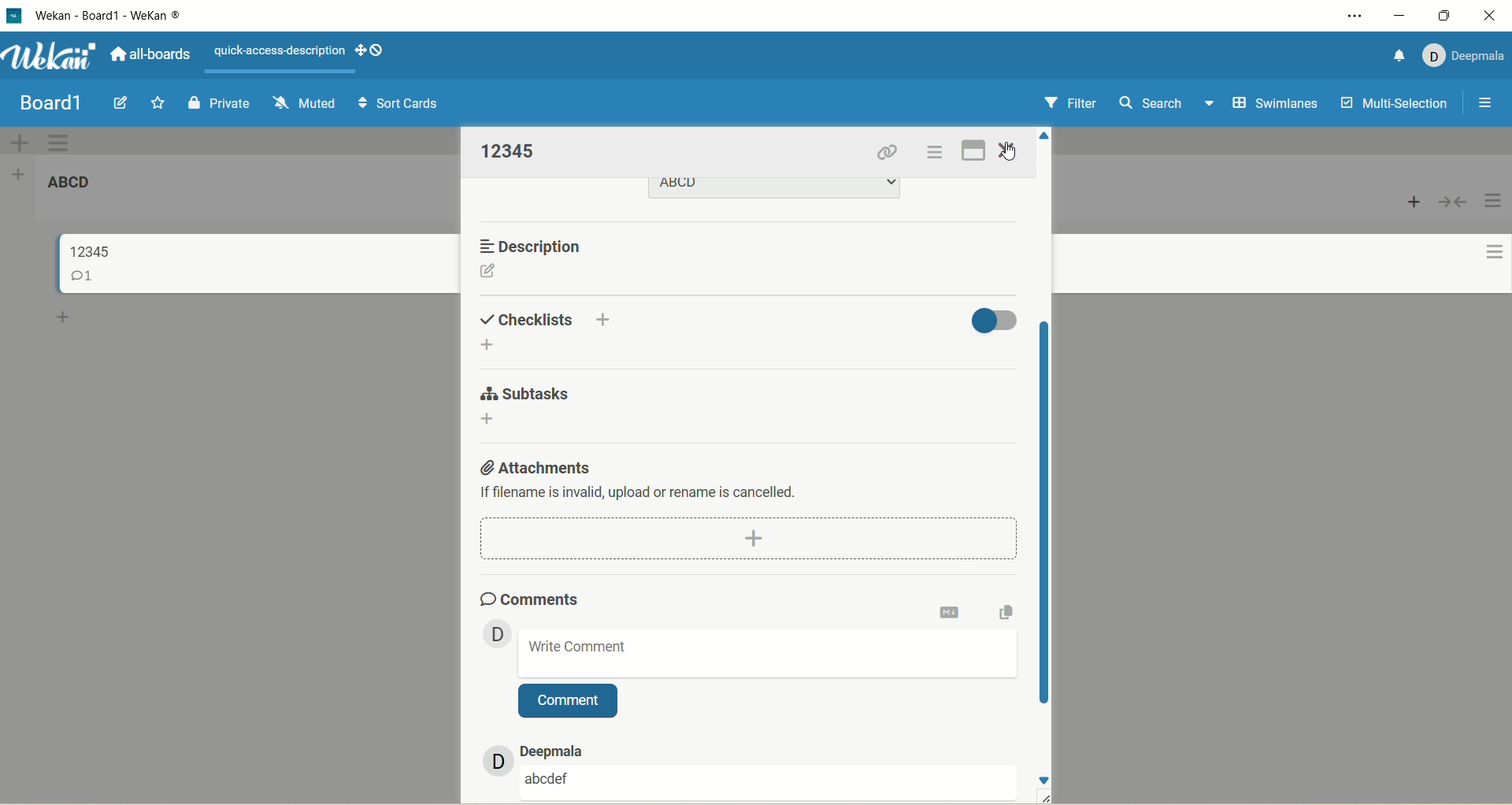 This screenshot has width=1512, height=805. Describe the element at coordinates (951, 610) in the screenshot. I see `markdown` at that location.